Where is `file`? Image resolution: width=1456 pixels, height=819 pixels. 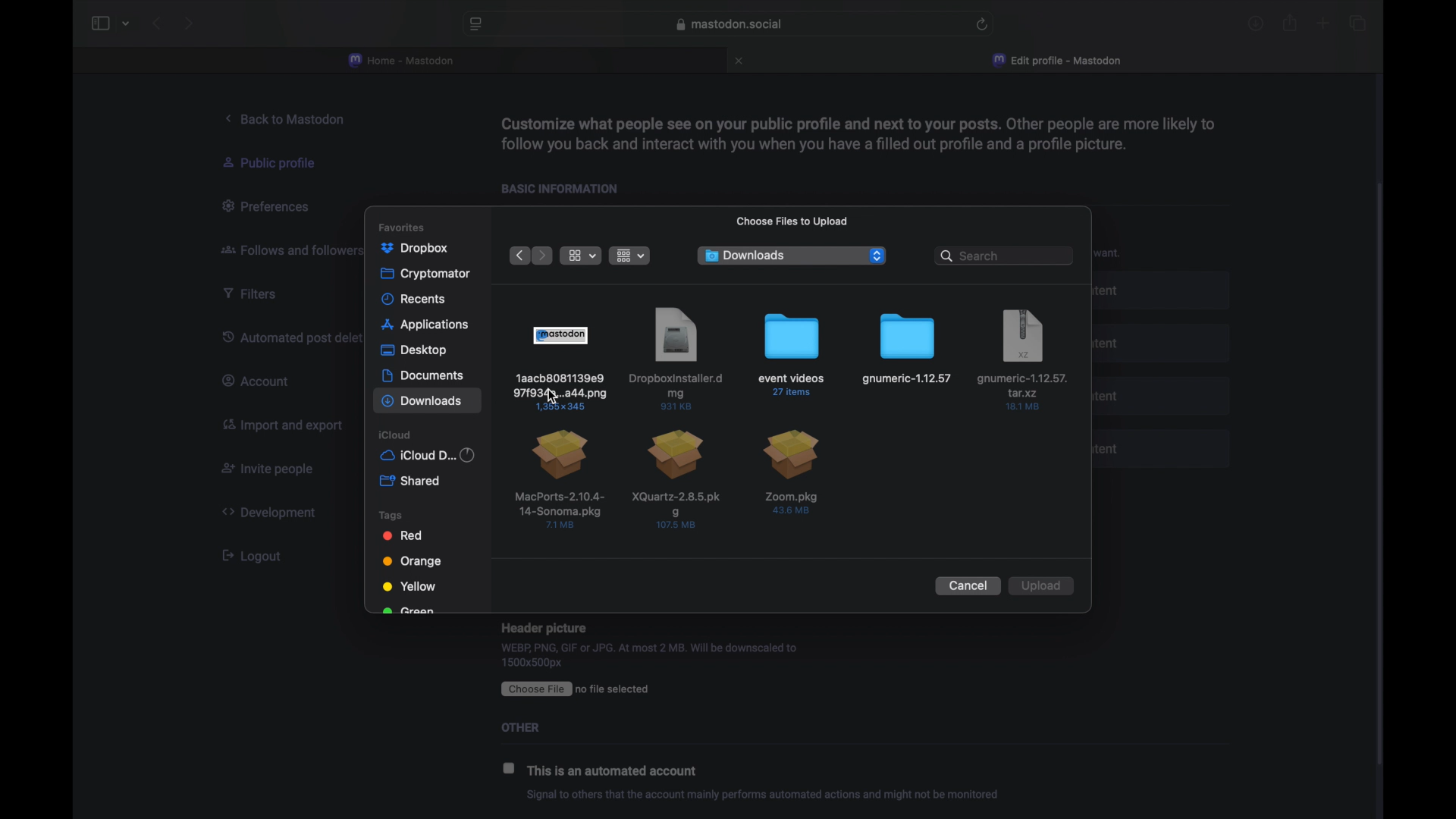
file is located at coordinates (792, 355).